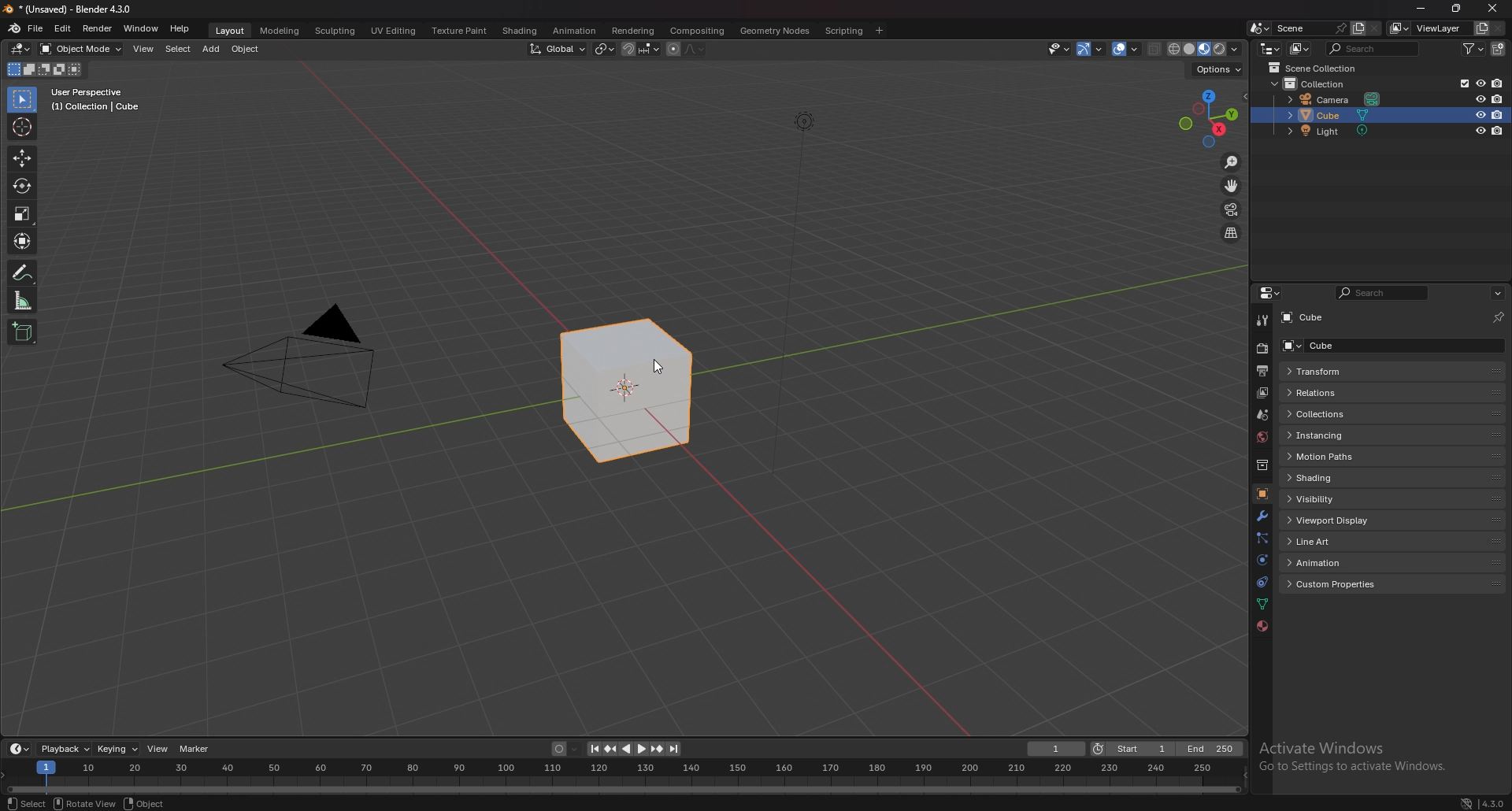 Image resolution: width=1512 pixels, height=811 pixels. I want to click on help, so click(180, 28).